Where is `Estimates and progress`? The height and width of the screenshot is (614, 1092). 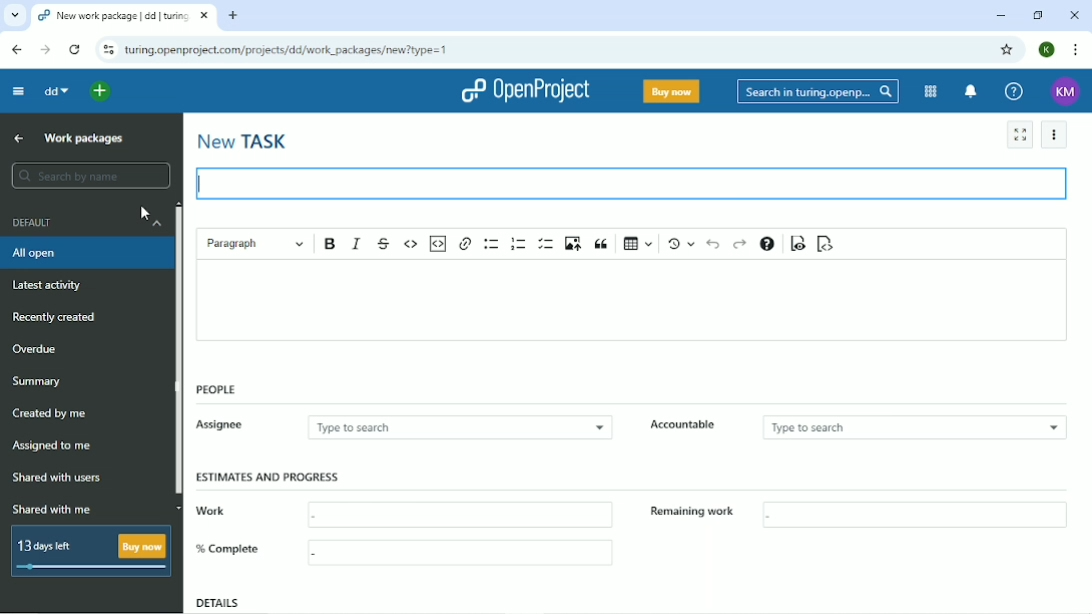
Estimates and progress is located at coordinates (269, 475).